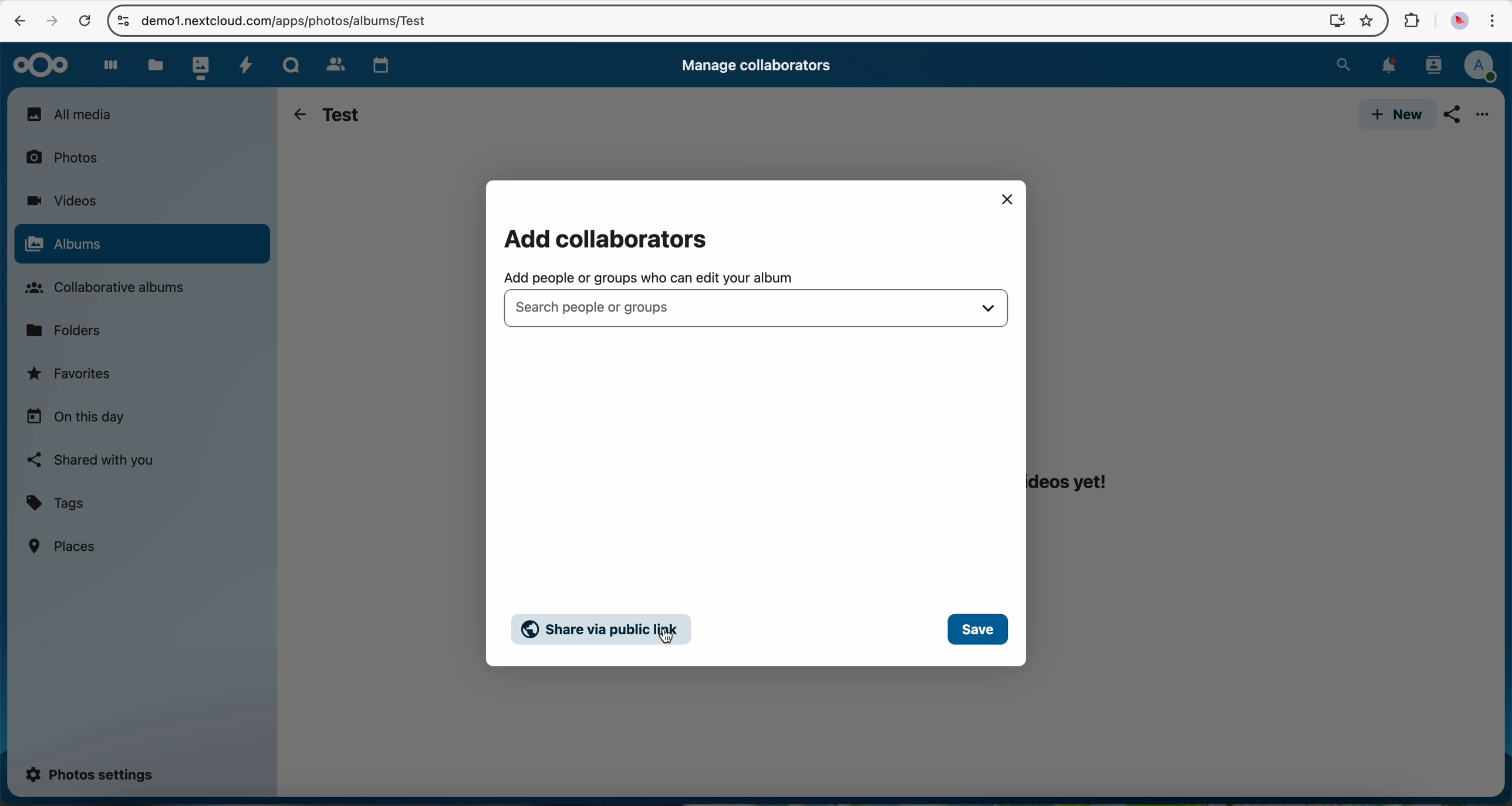 The width and height of the screenshot is (1512, 806). Describe the element at coordinates (49, 21) in the screenshot. I see `navigate foward` at that location.